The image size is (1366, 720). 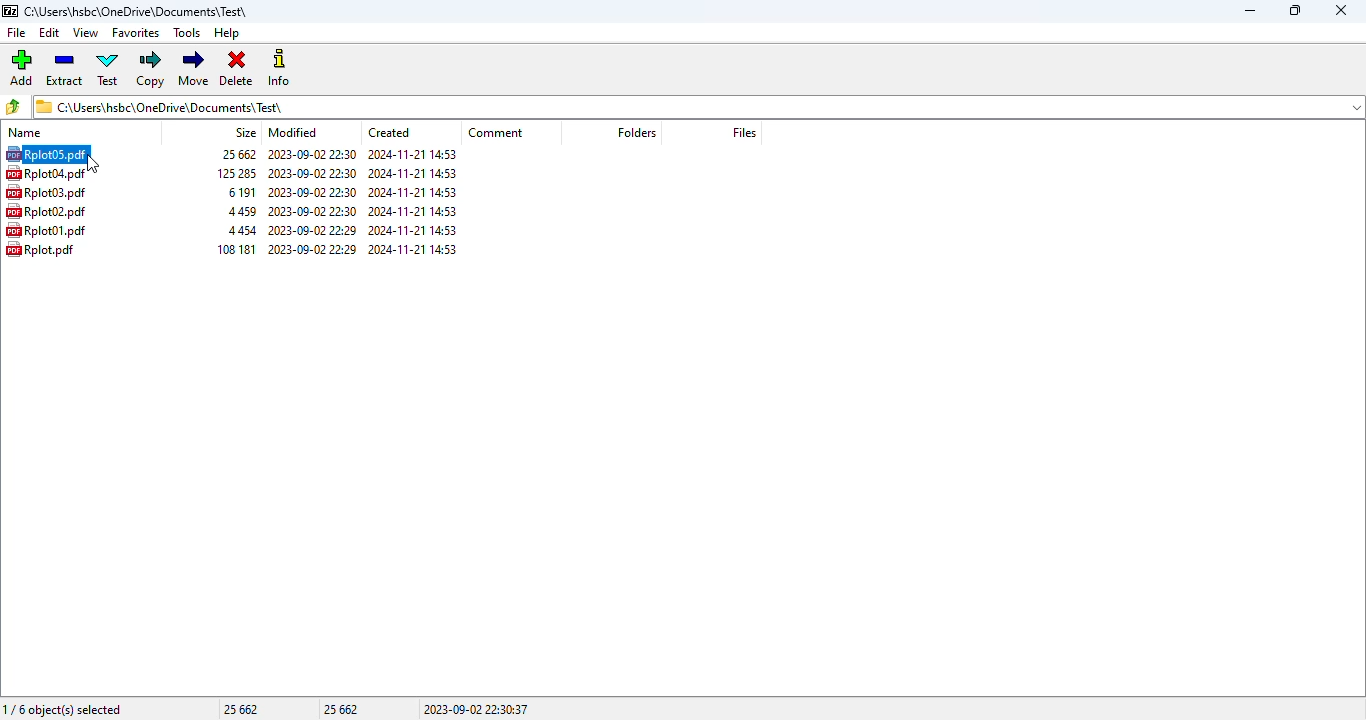 What do you see at coordinates (138, 11) in the screenshot?
I see `folder` at bounding box center [138, 11].